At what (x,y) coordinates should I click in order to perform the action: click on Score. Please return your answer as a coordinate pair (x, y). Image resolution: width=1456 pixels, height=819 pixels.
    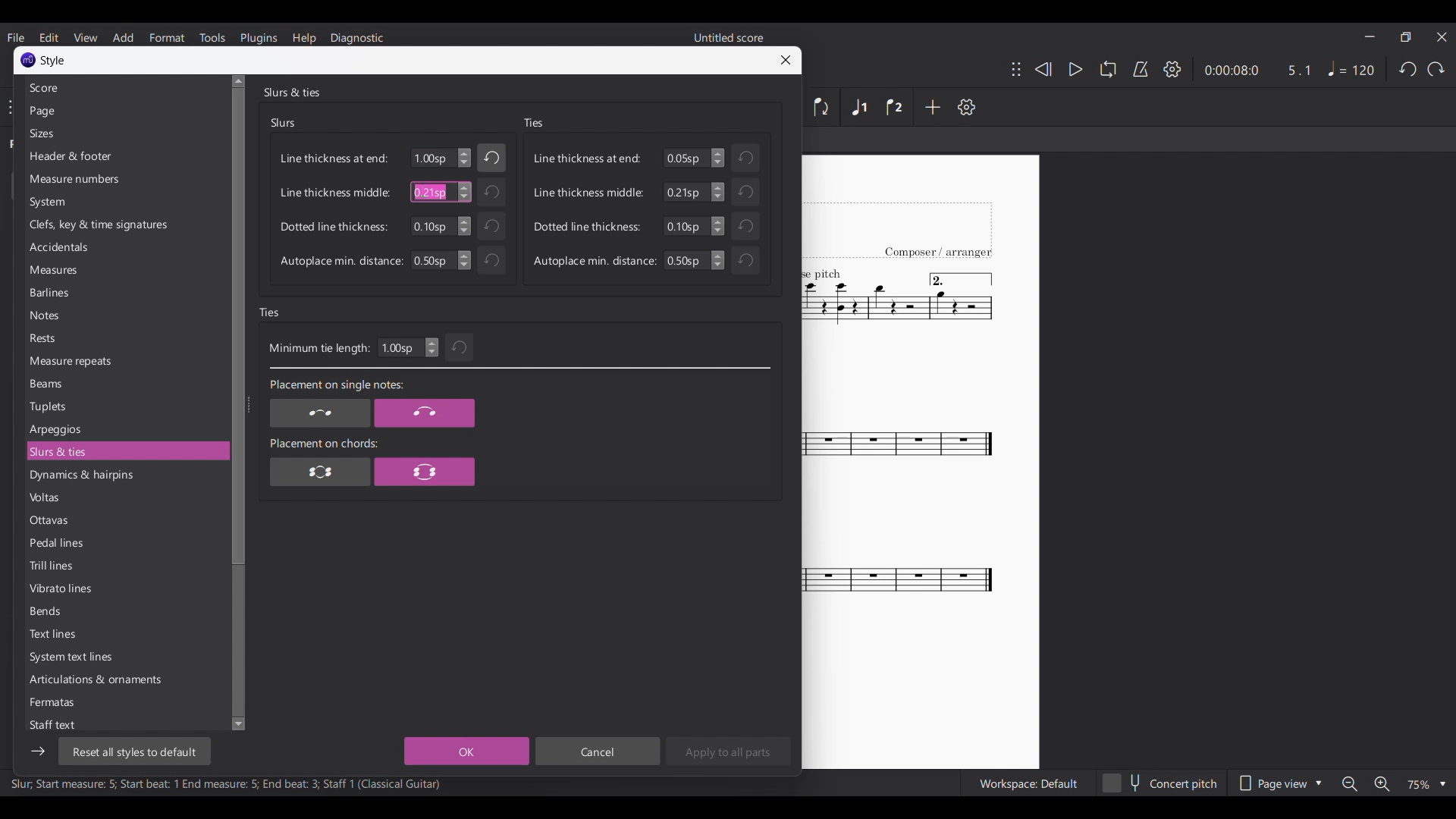
    Looking at the image, I should click on (124, 88).